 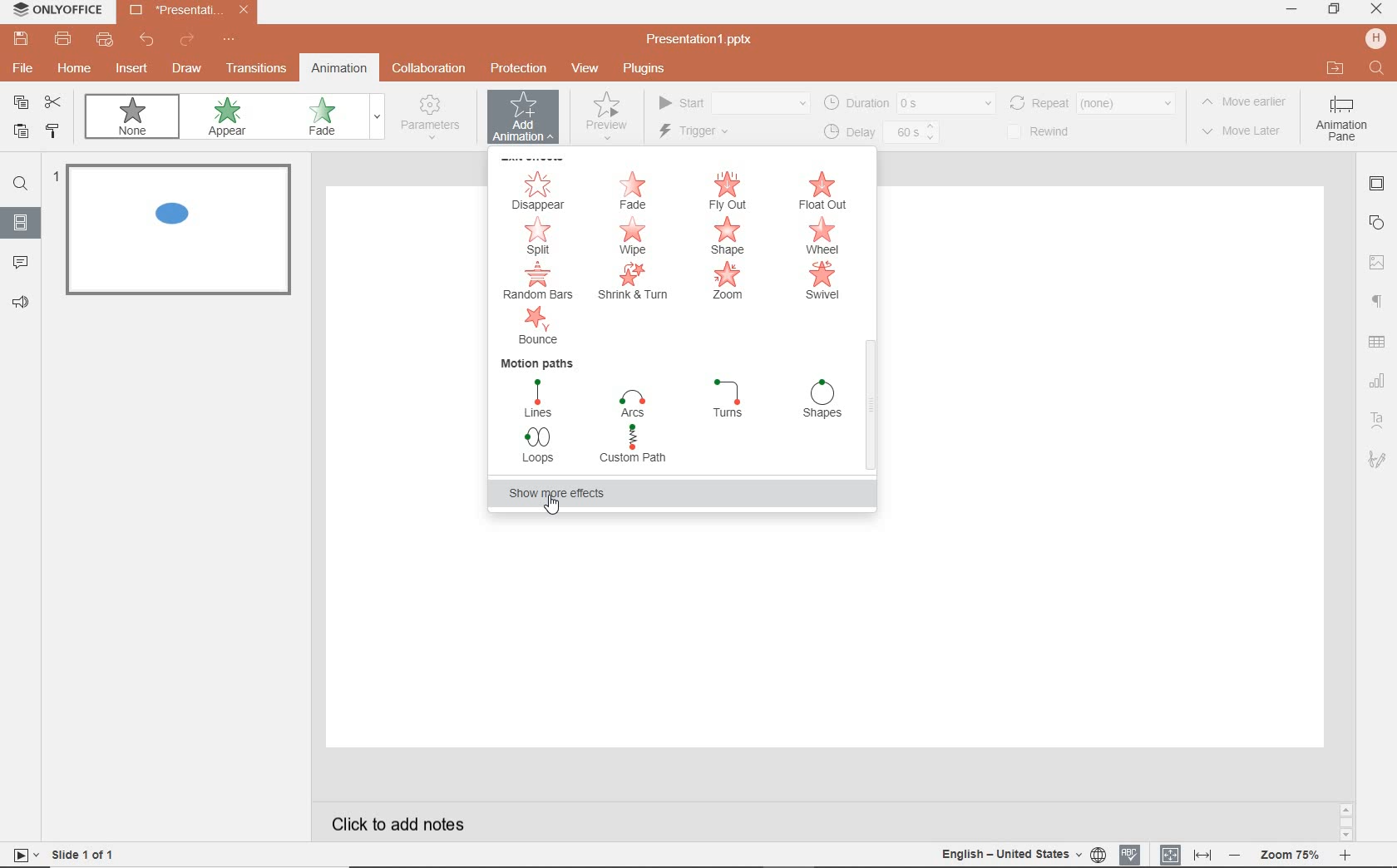 What do you see at coordinates (1375, 418) in the screenshot?
I see `Text art ` at bounding box center [1375, 418].